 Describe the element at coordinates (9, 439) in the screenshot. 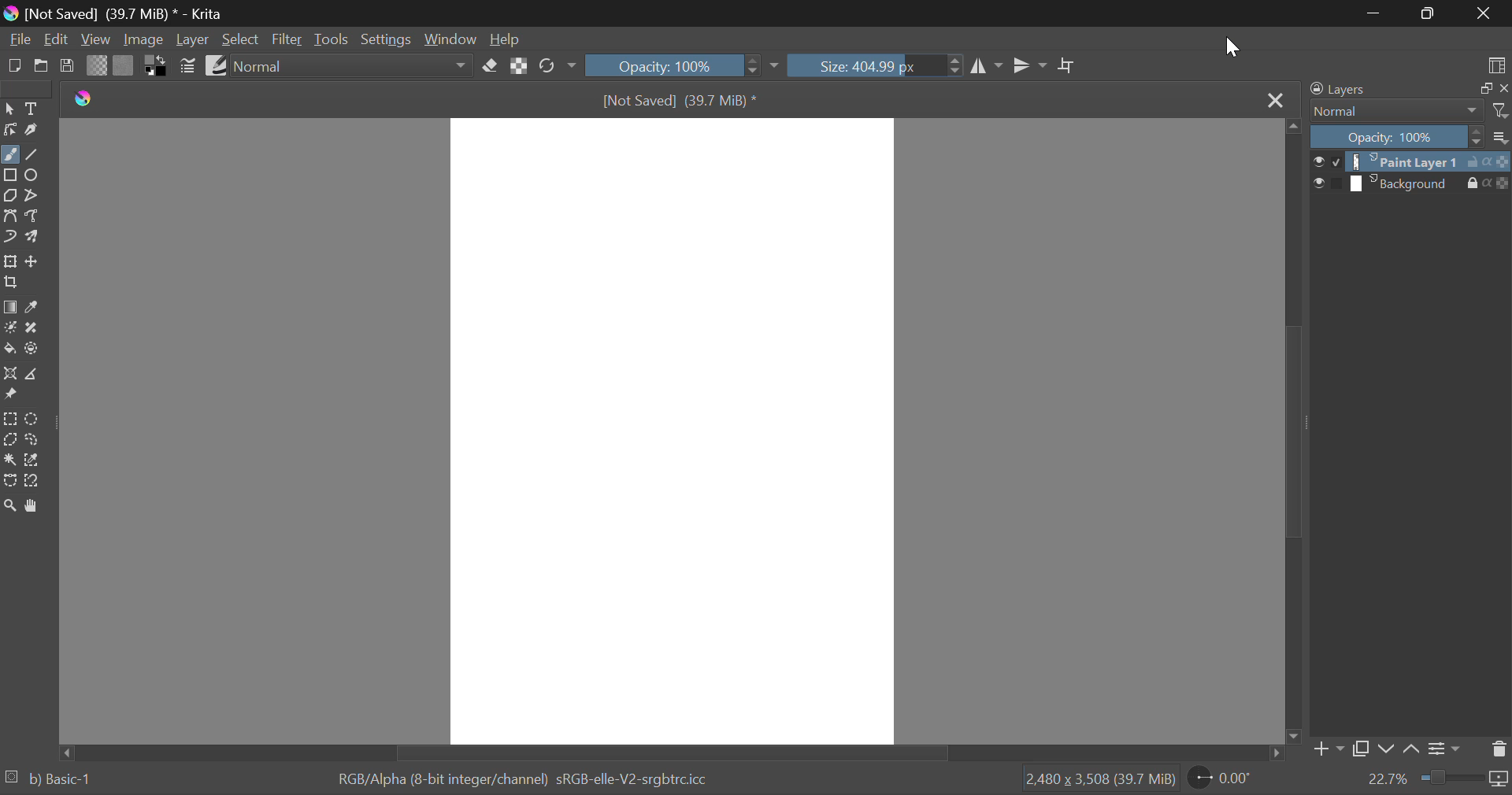

I see `Polygonal Selection` at that location.